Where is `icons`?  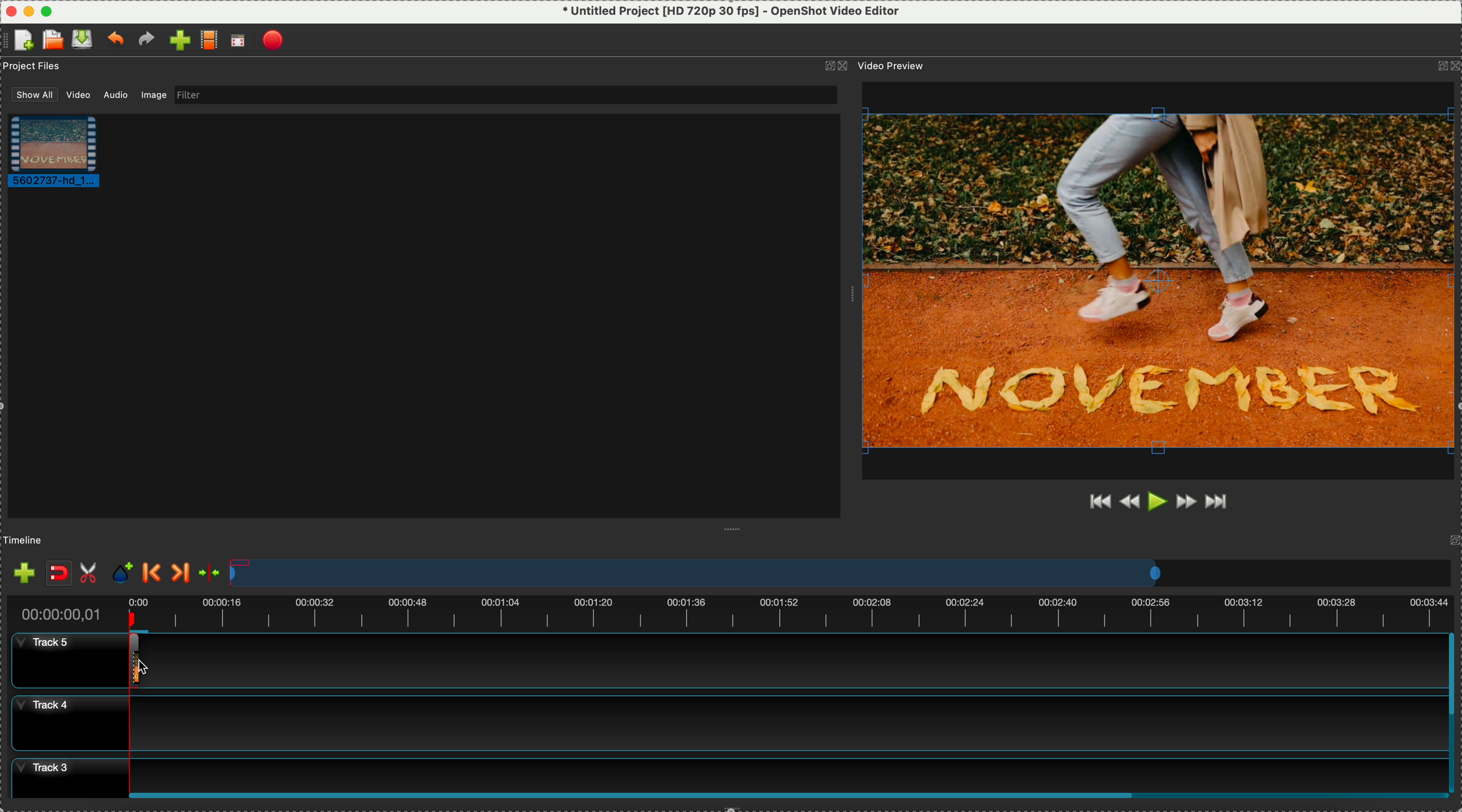
icons is located at coordinates (835, 66).